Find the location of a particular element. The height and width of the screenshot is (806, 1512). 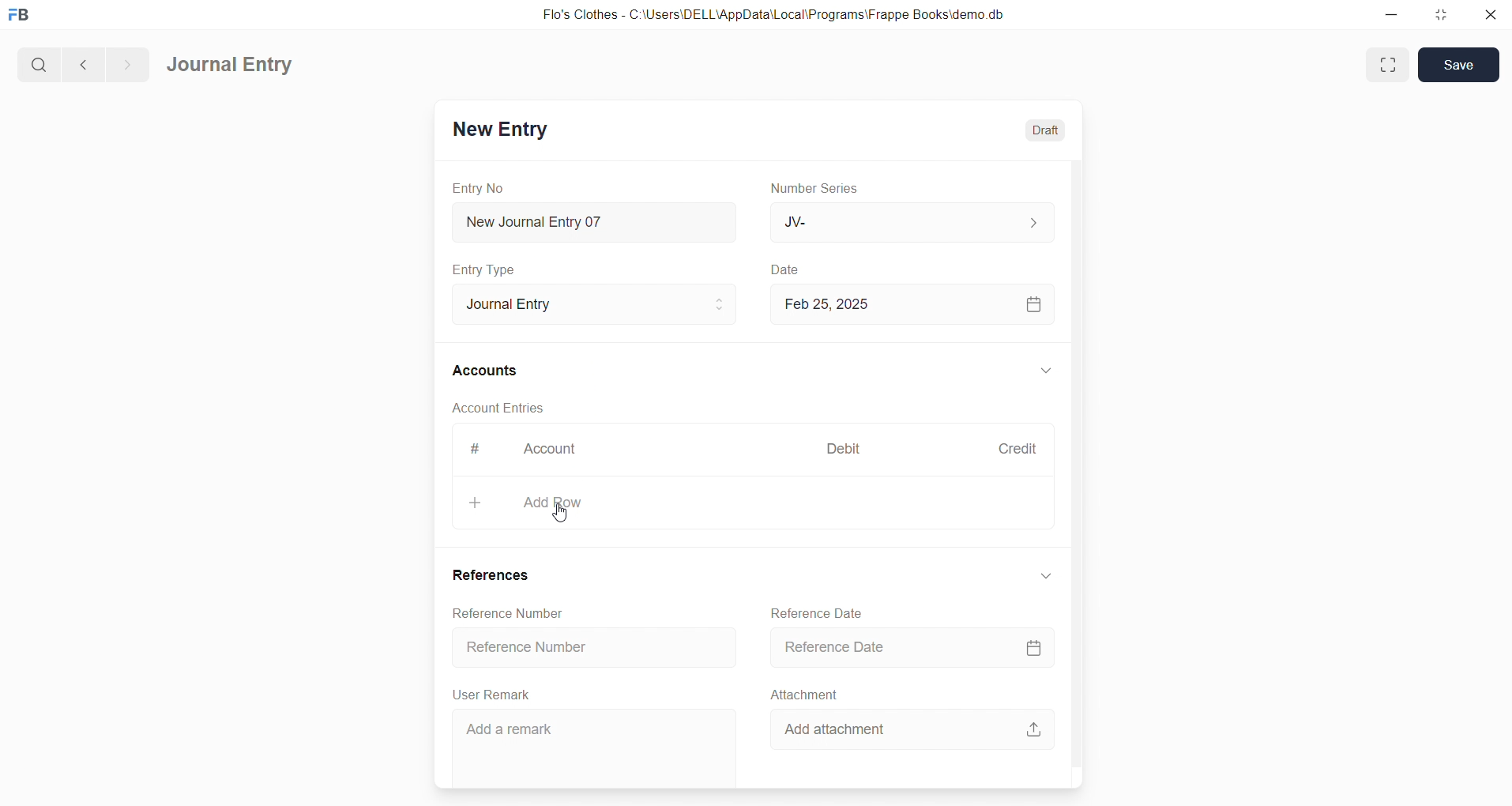

logo is located at coordinates (23, 16).